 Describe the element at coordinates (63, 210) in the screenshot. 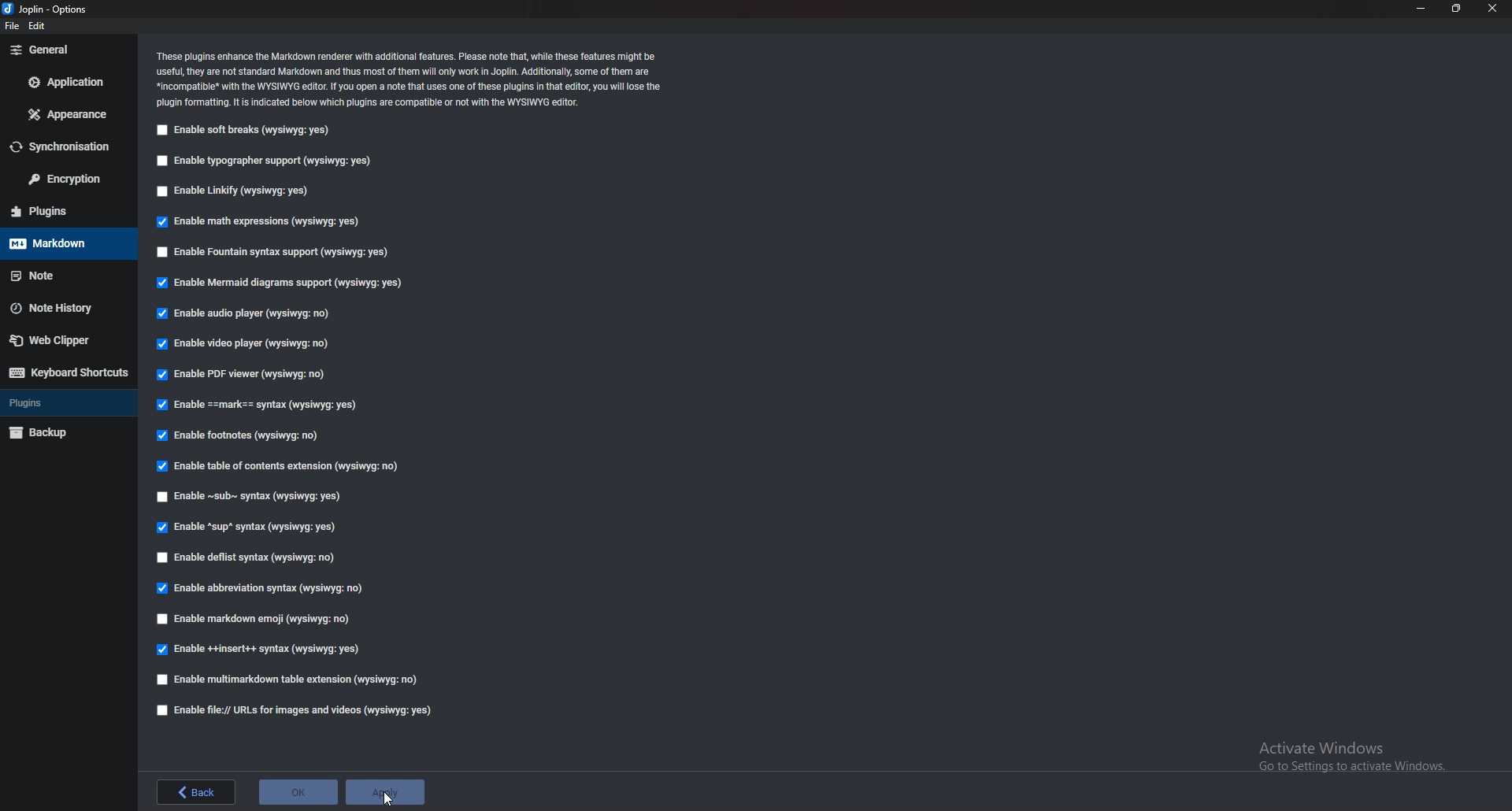

I see `Plugins` at that location.